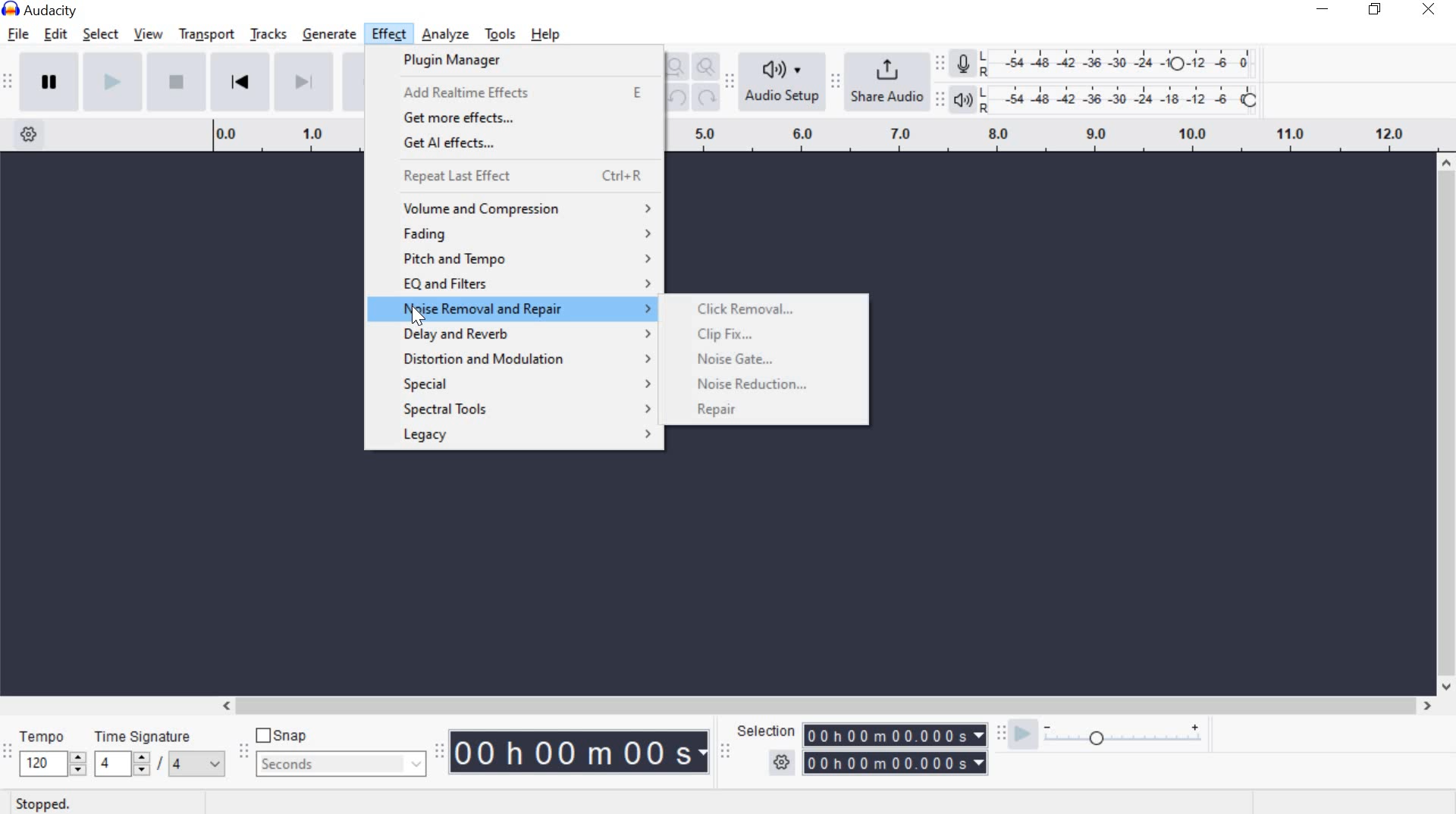 The height and width of the screenshot is (814, 1456). What do you see at coordinates (886, 77) in the screenshot?
I see `share audio` at bounding box center [886, 77].